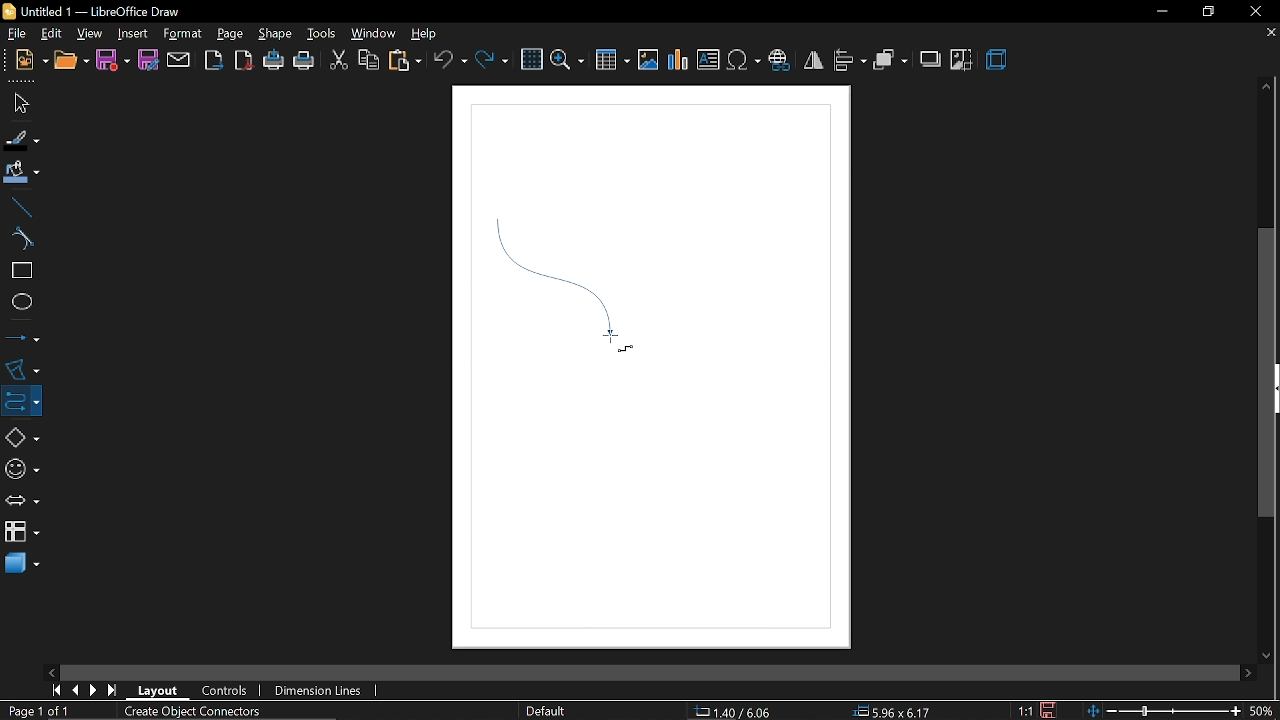 This screenshot has height=720, width=1280. I want to click on Create Object Connectors, so click(188, 712).